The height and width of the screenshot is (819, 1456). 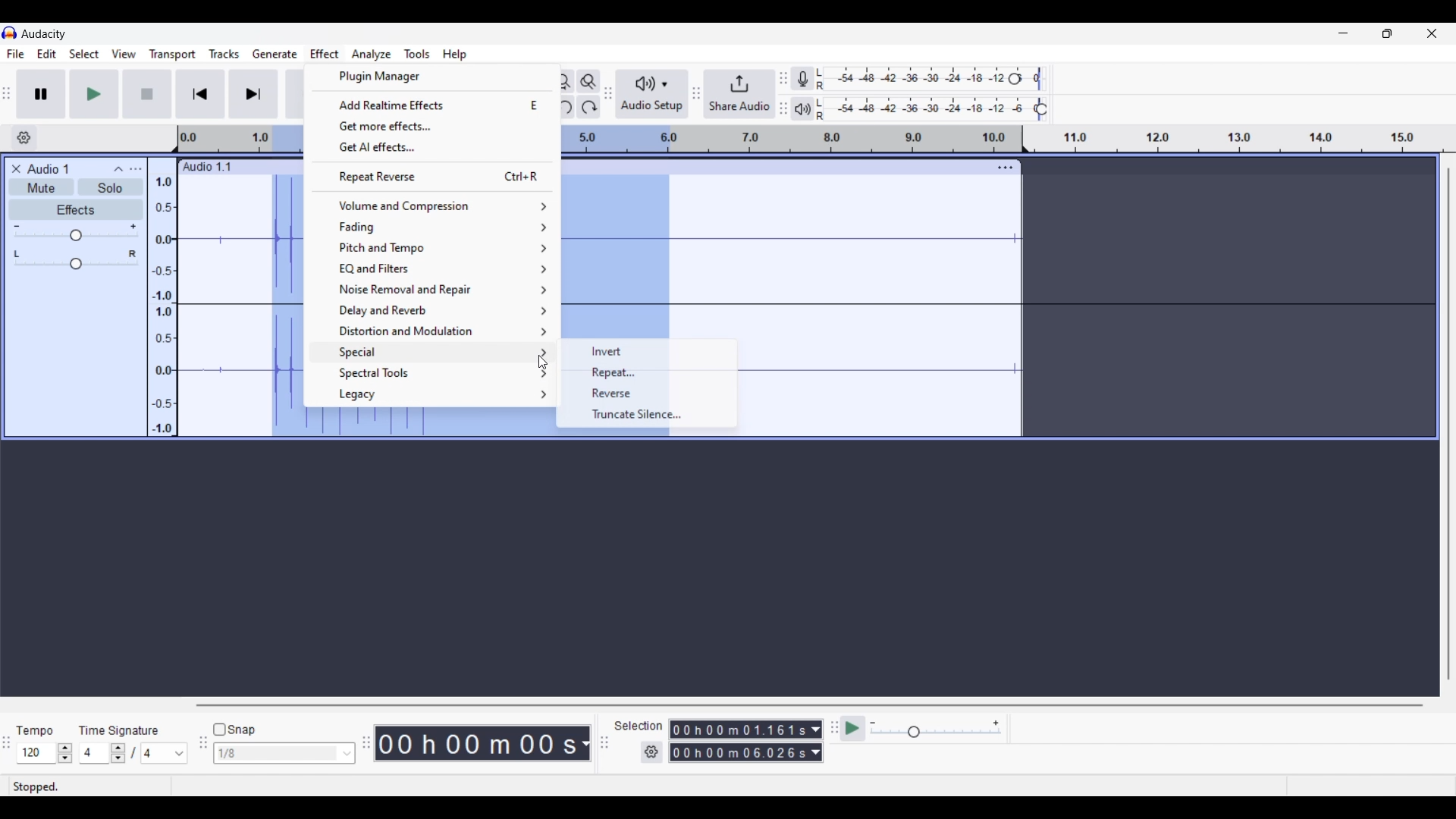 I want to click on Close interface, so click(x=1432, y=33).